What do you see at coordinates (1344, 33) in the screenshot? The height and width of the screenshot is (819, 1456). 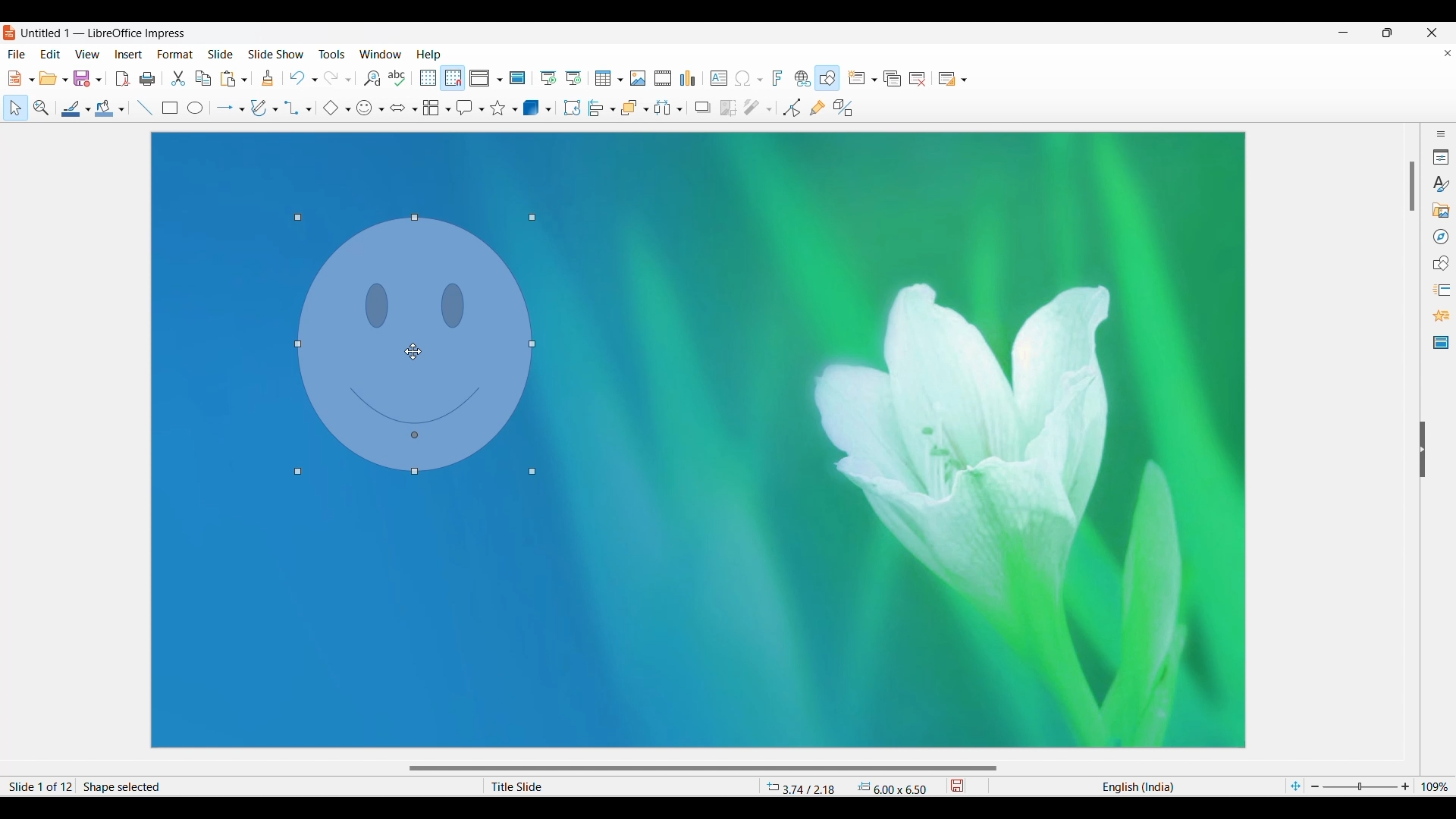 I see `Minimize` at bounding box center [1344, 33].